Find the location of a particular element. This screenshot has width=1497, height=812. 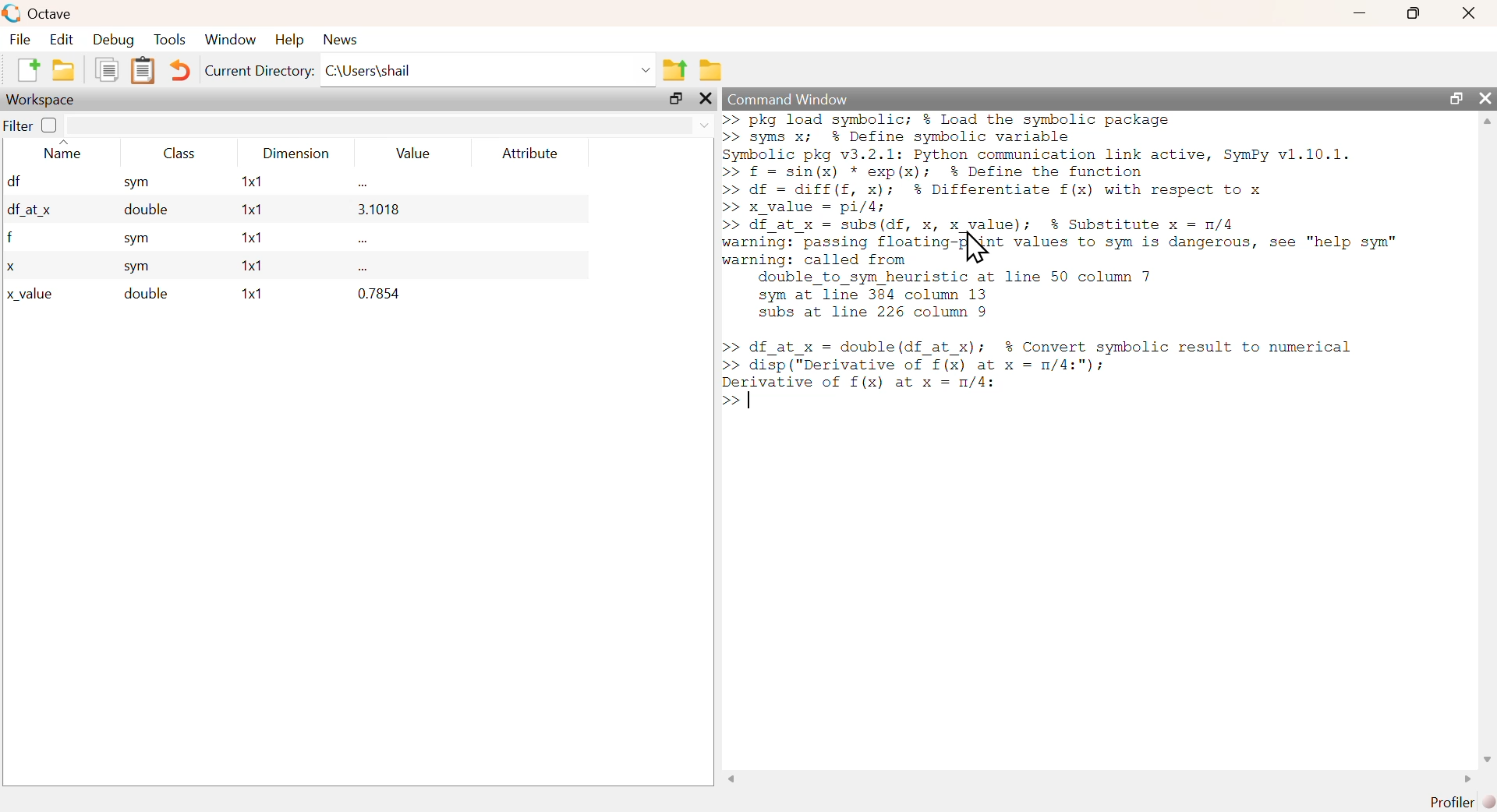

x_value is located at coordinates (31, 295).